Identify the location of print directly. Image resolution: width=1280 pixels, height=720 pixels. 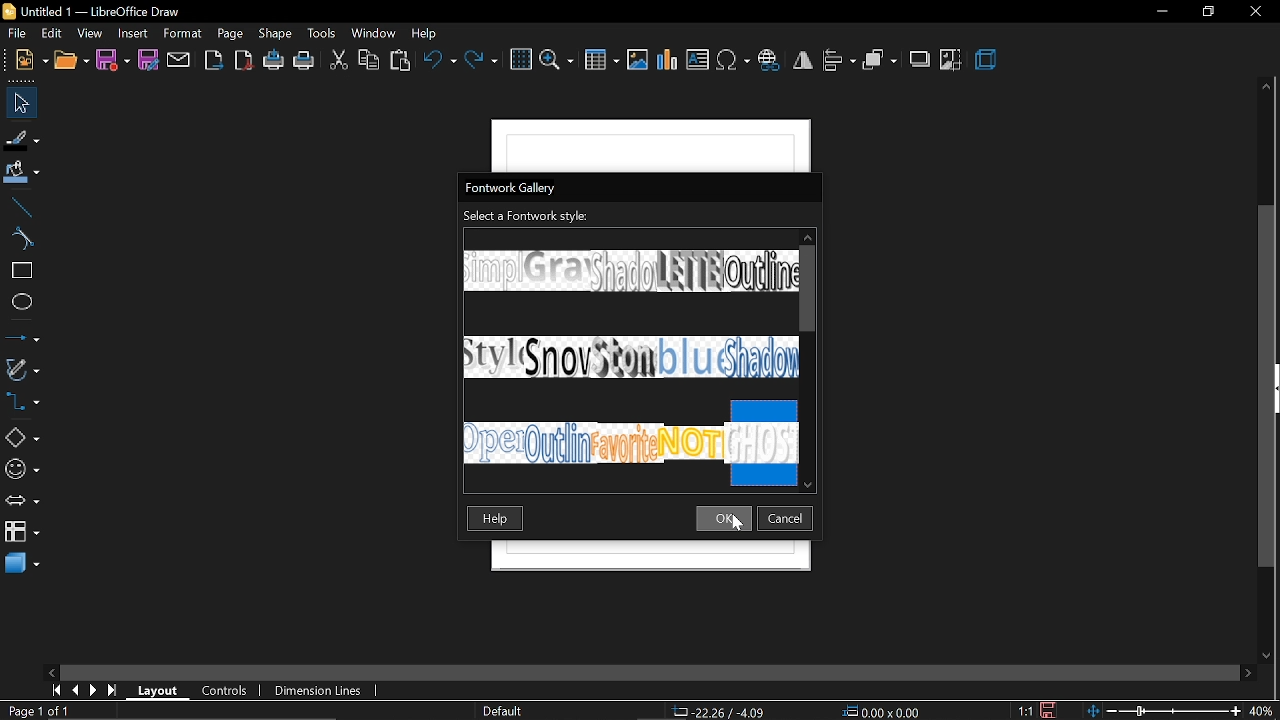
(272, 61).